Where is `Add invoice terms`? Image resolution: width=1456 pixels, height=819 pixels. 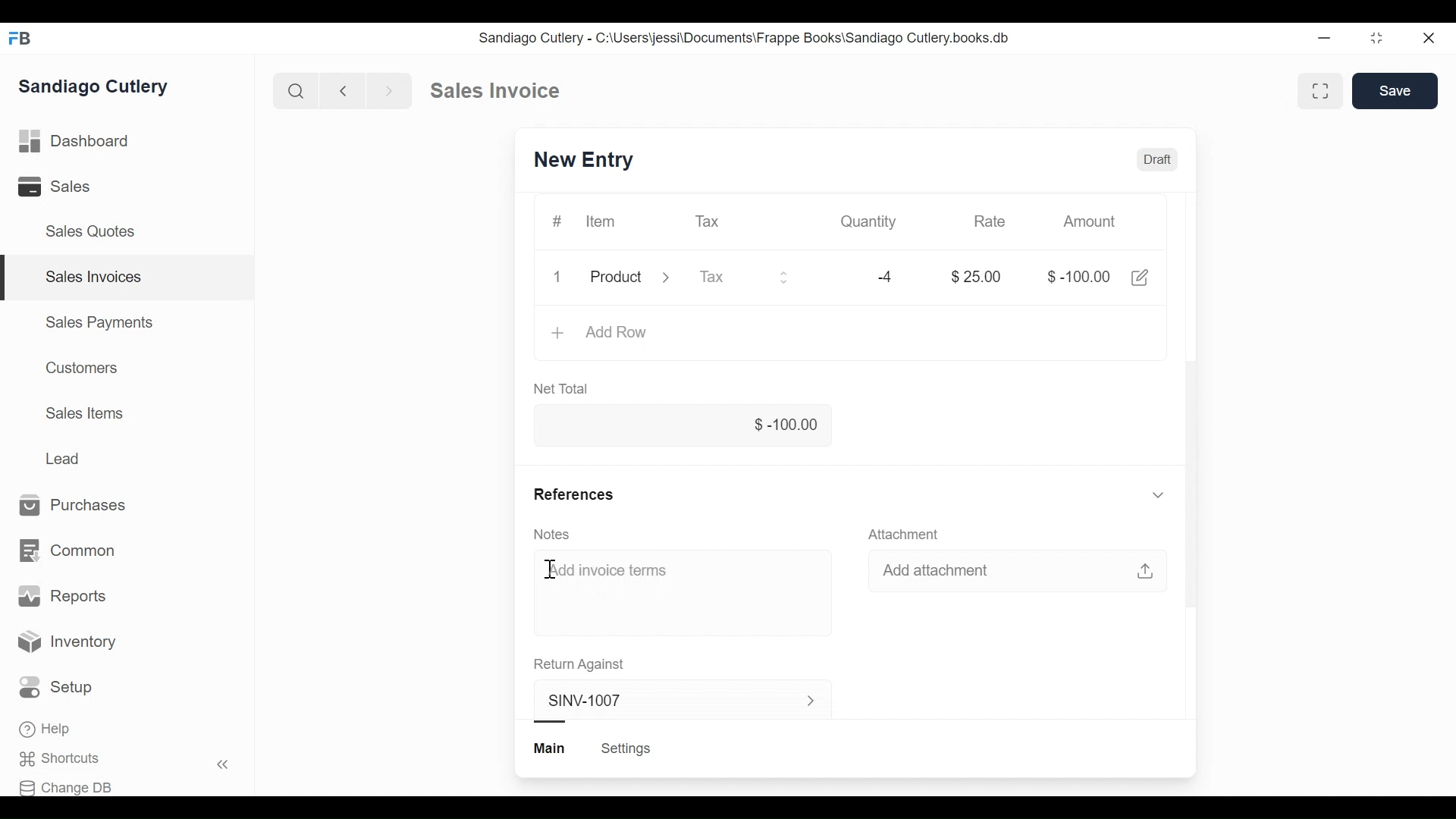
Add invoice terms is located at coordinates (607, 570).